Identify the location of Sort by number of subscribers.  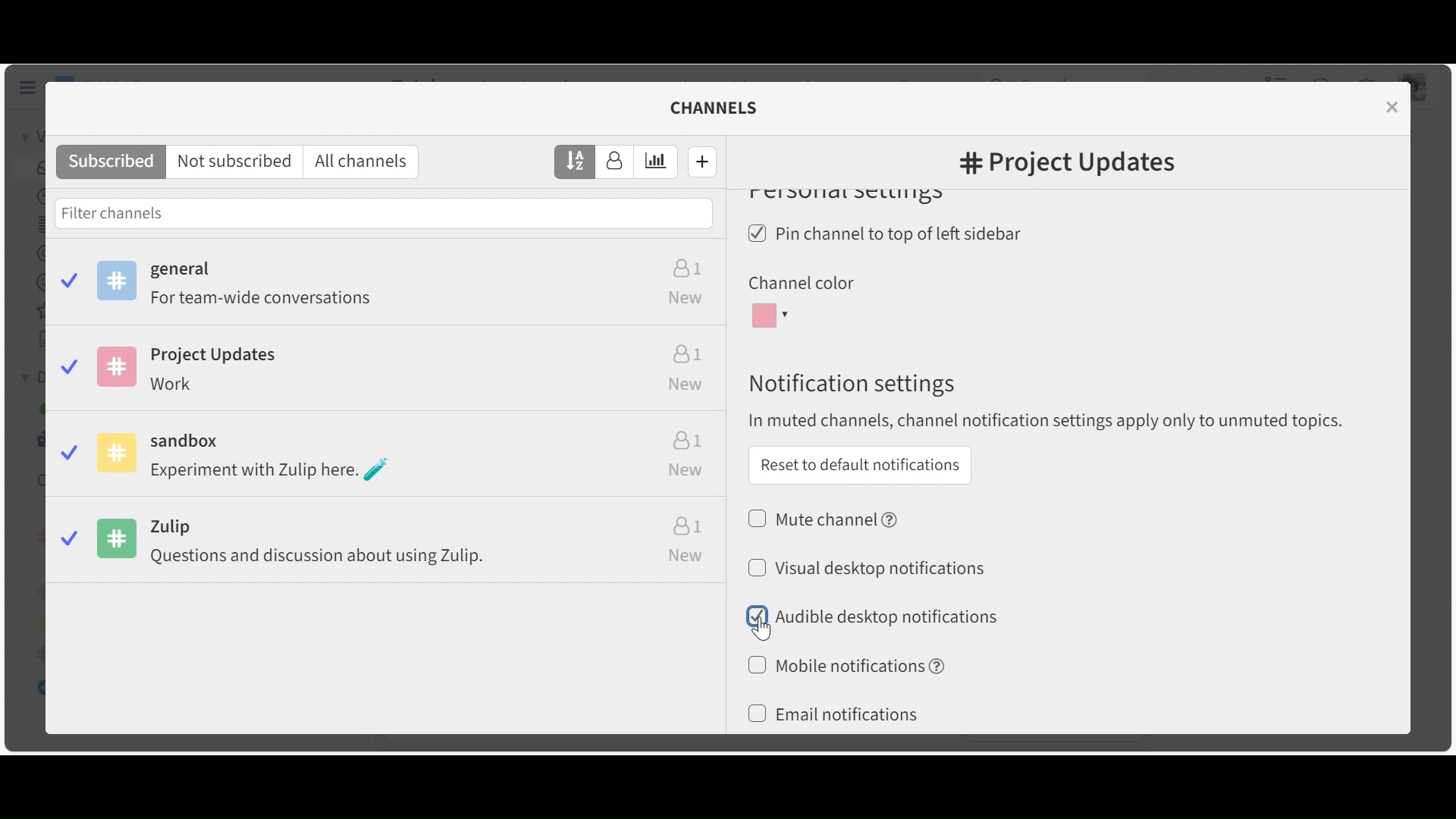
(615, 162).